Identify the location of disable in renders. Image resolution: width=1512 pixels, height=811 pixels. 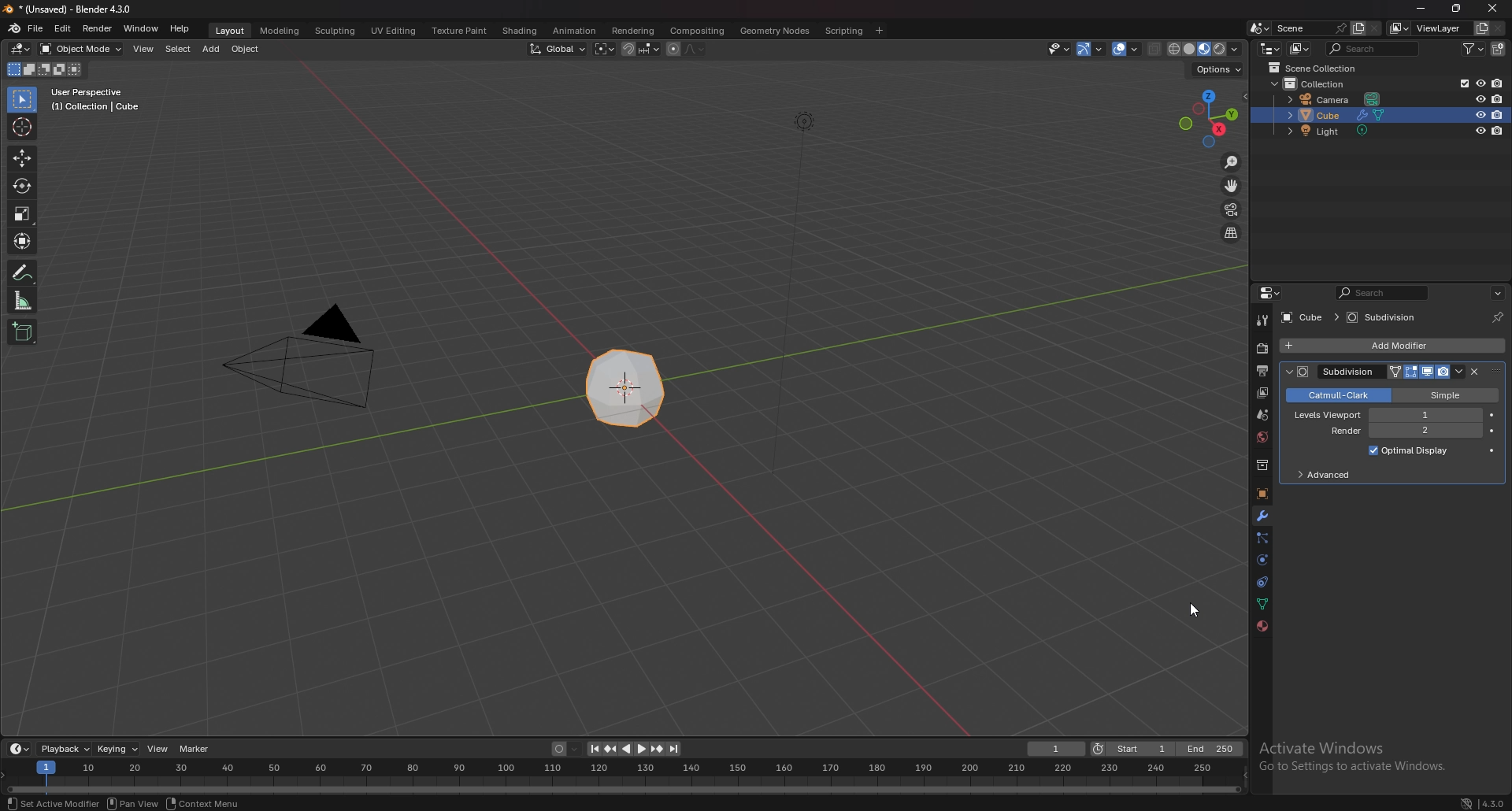
(1498, 83).